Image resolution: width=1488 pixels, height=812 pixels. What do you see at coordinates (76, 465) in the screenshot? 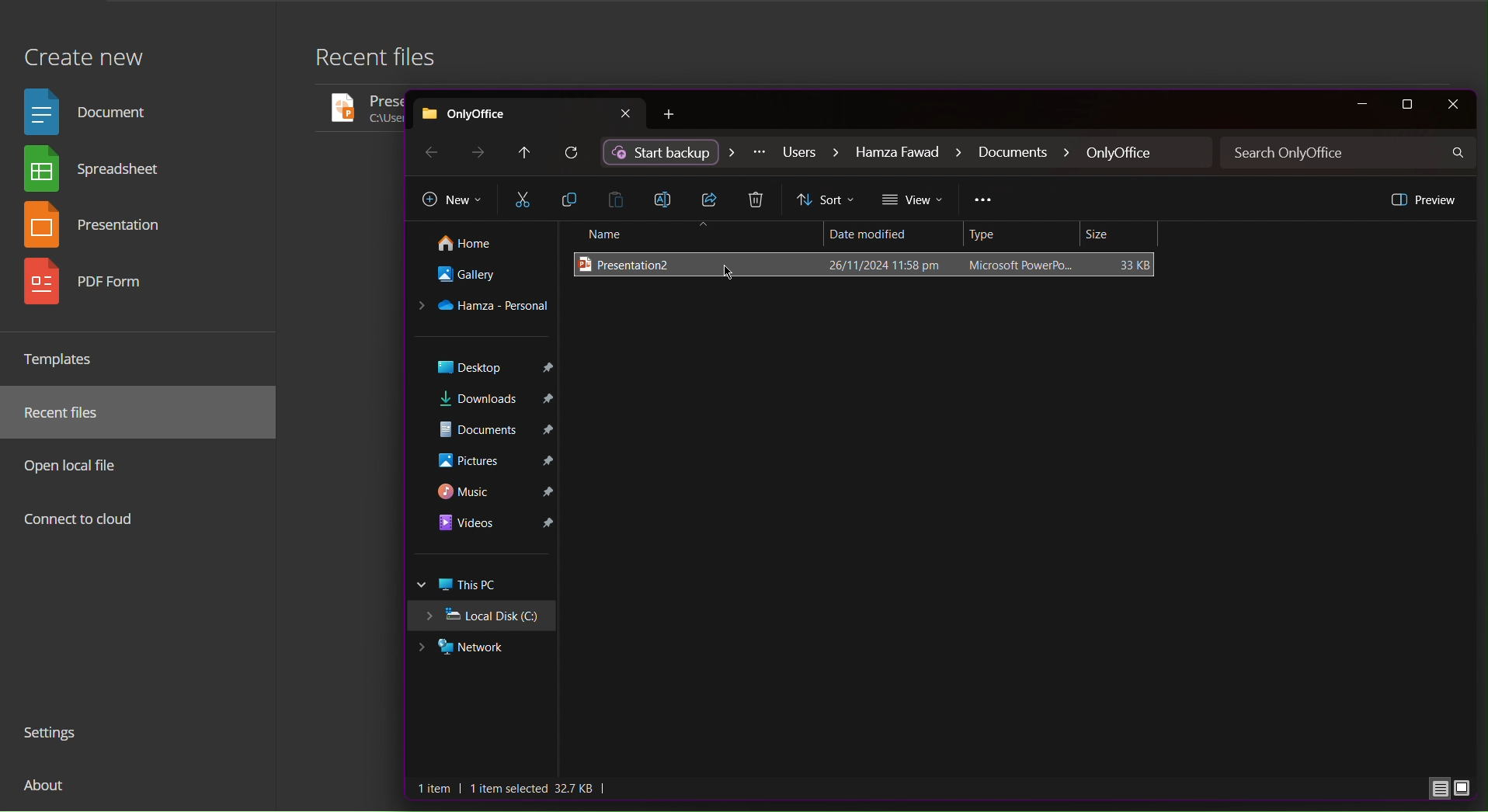
I see `Open Local File` at bounding box center [76, 465].